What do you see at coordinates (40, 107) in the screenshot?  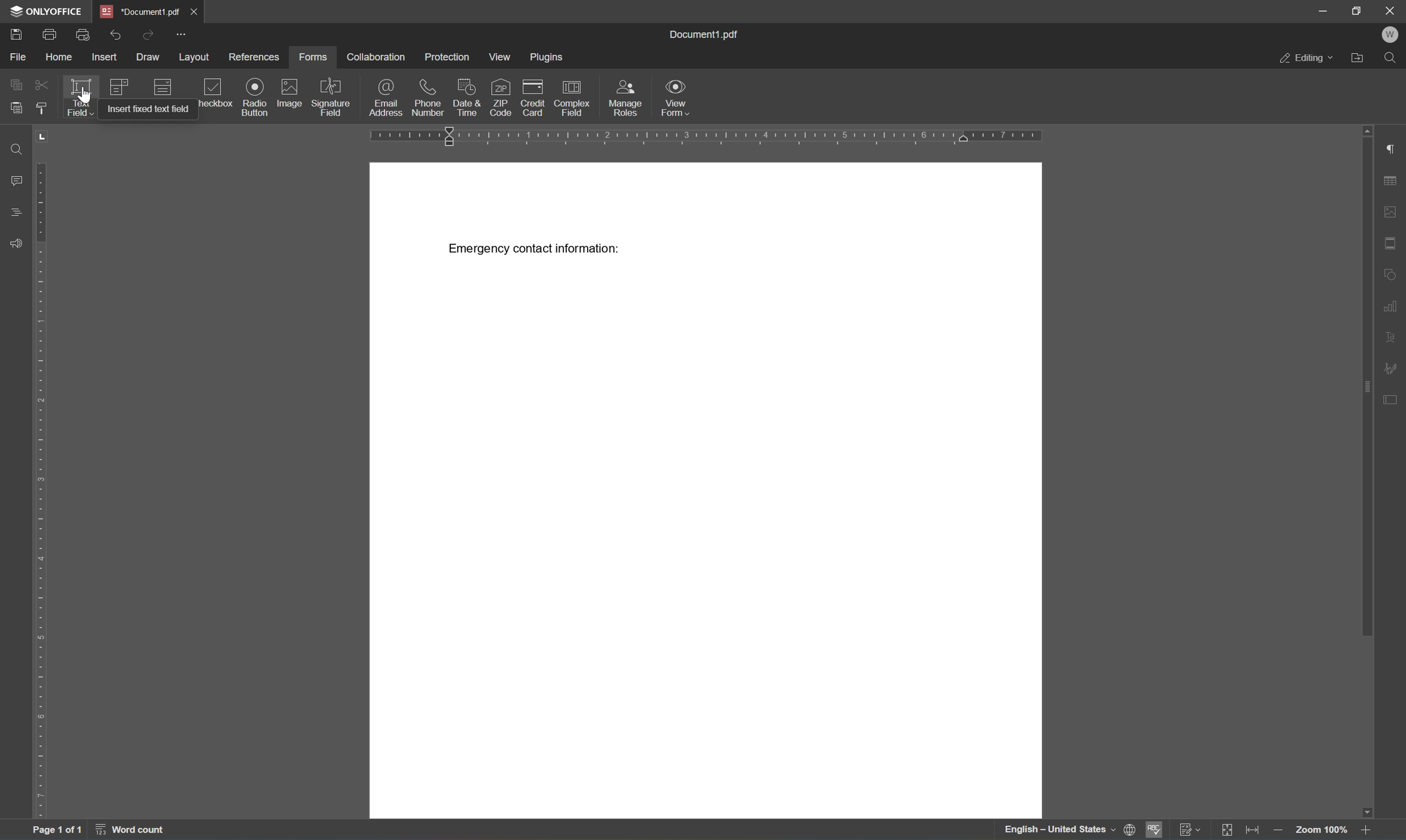 I see `copy style` at bounding box center [40, 107].